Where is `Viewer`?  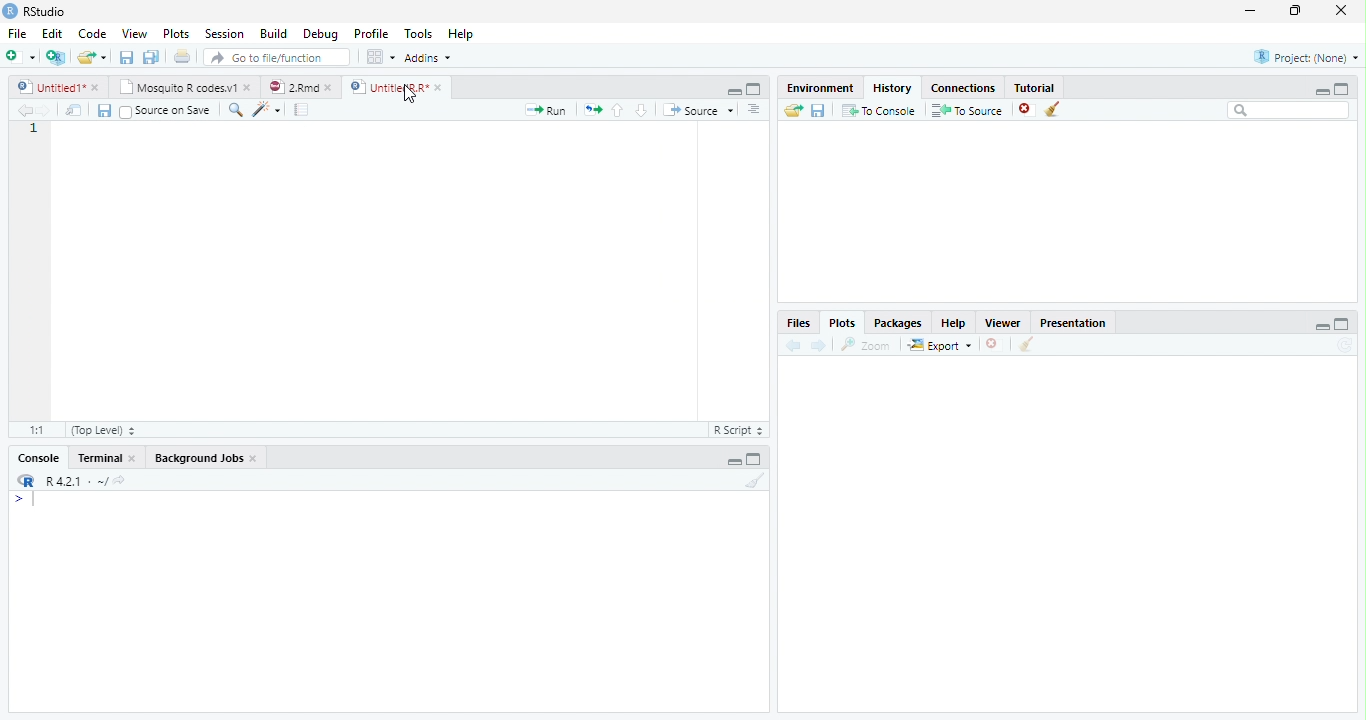
Viewer is located at coordinates (1004, 322).